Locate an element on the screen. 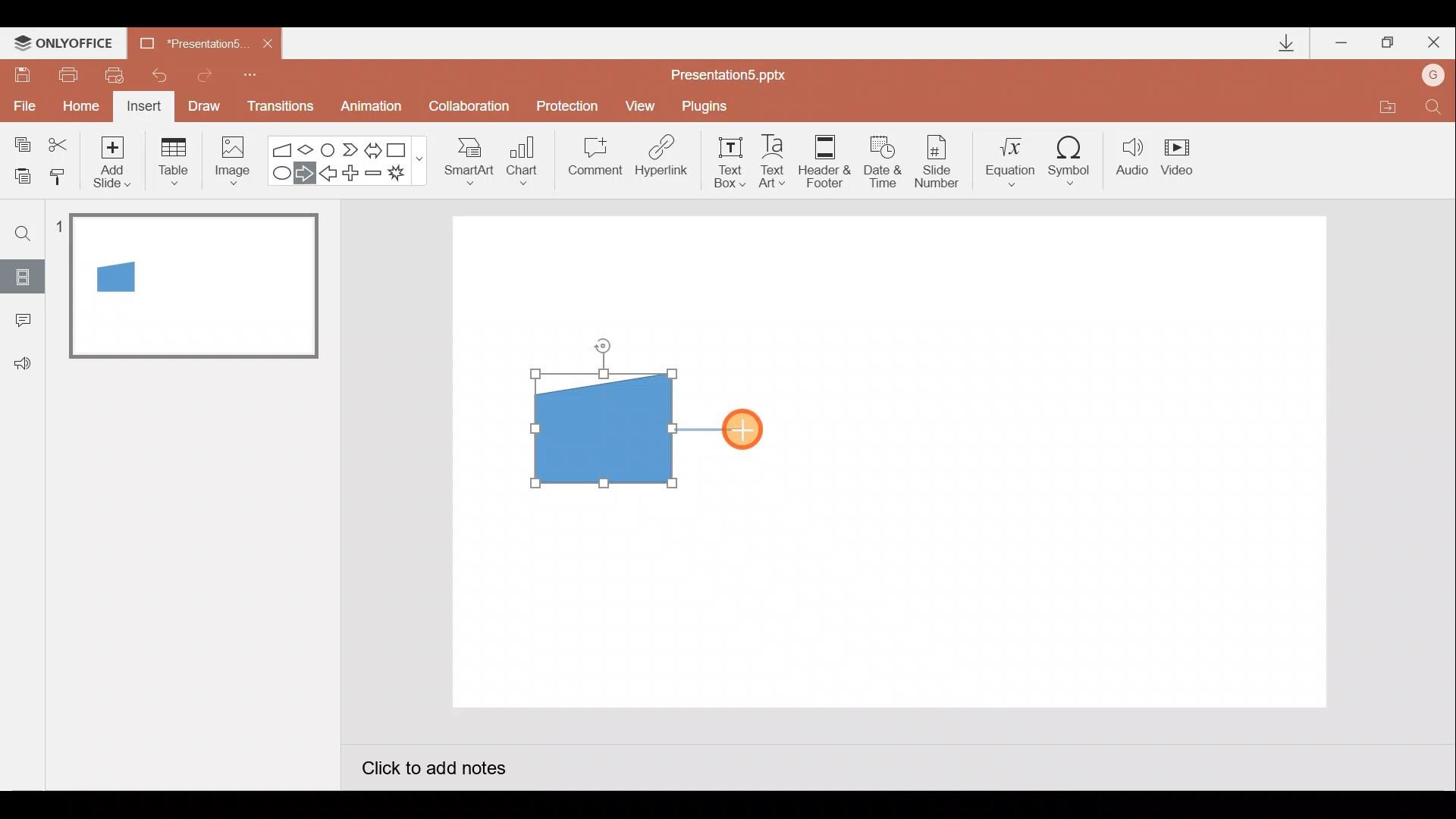  Video is located at coordinates (1183, 158).